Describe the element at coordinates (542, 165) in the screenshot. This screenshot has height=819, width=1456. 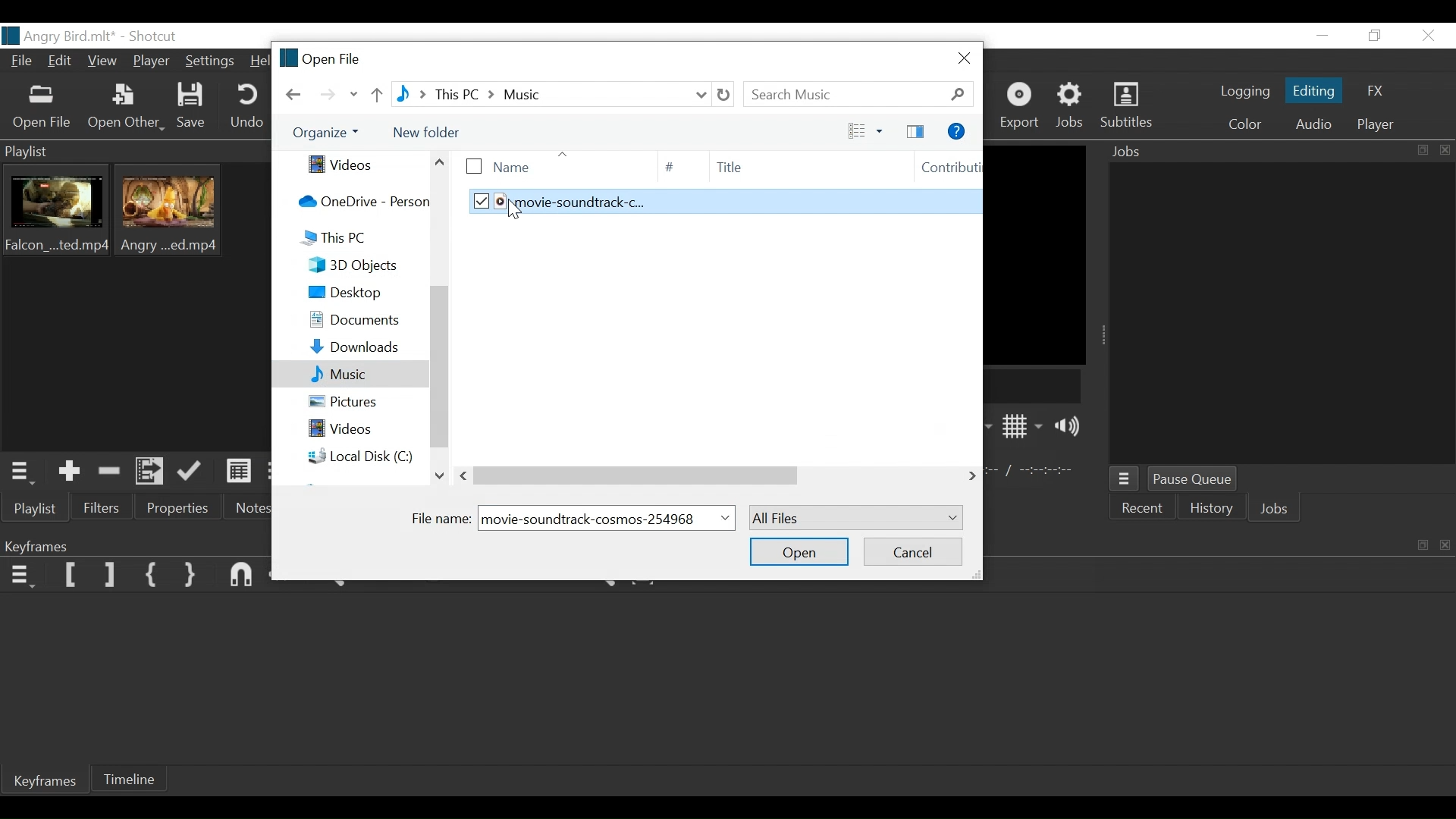
I see `Name` at that location.